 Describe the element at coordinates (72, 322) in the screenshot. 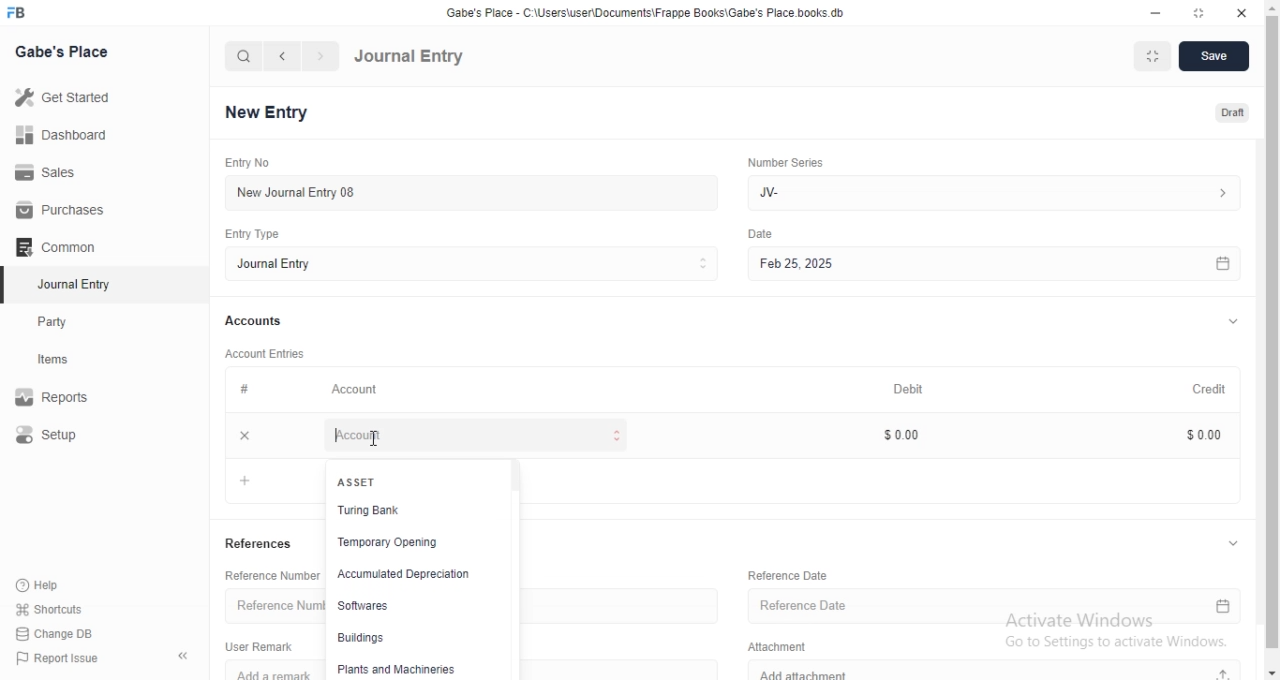

I see `Party` at that location.